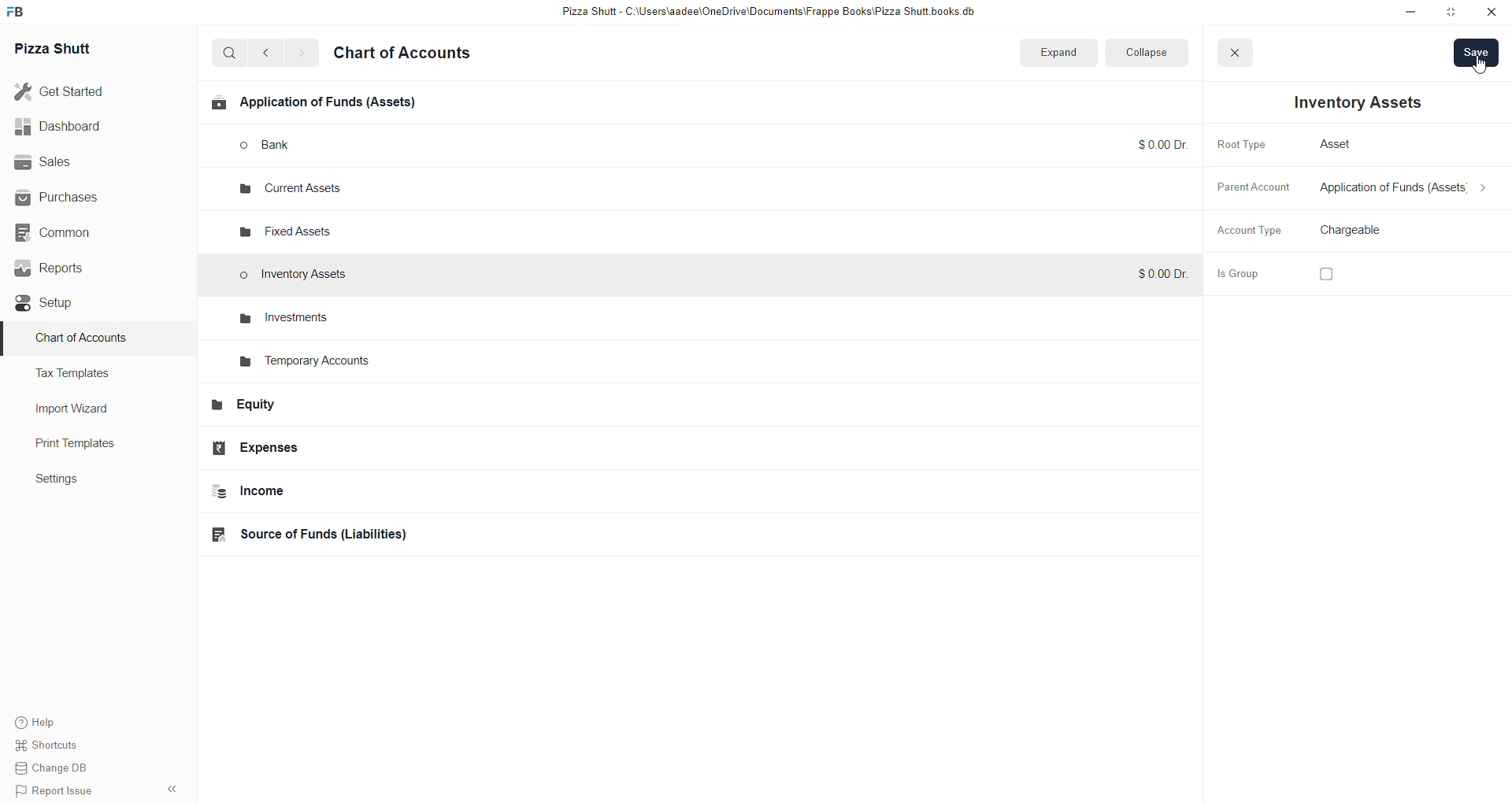 The height and width of the screenshot is (803, 1512). I want to click on Expenses , so click(315, 448).